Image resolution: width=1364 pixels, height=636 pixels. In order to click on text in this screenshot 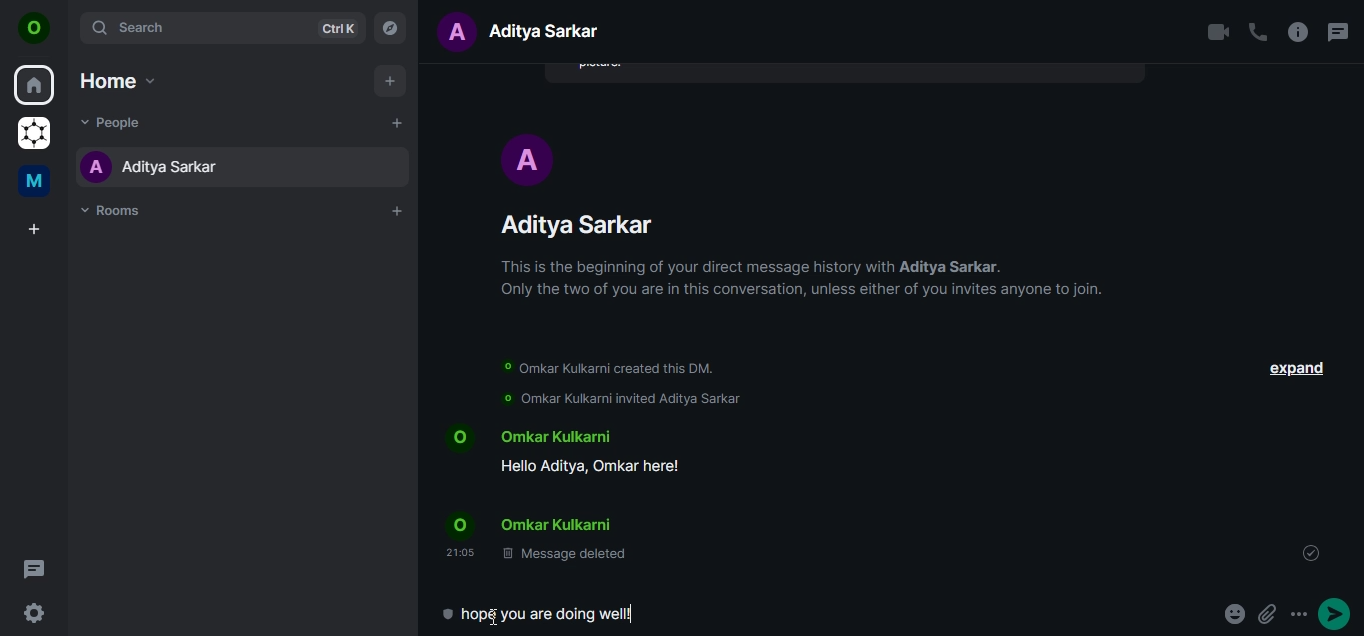, I will do `click(596, 495)`.